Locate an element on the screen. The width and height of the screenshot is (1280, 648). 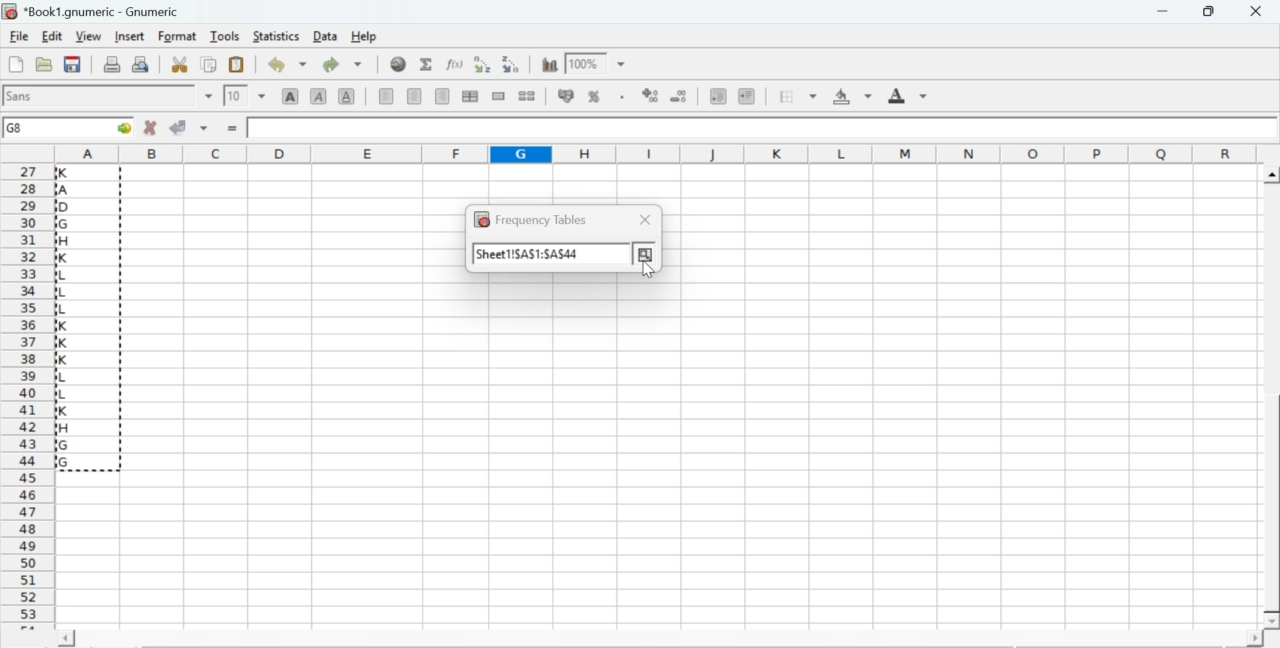
drop down is located at coordinates (210, 96).